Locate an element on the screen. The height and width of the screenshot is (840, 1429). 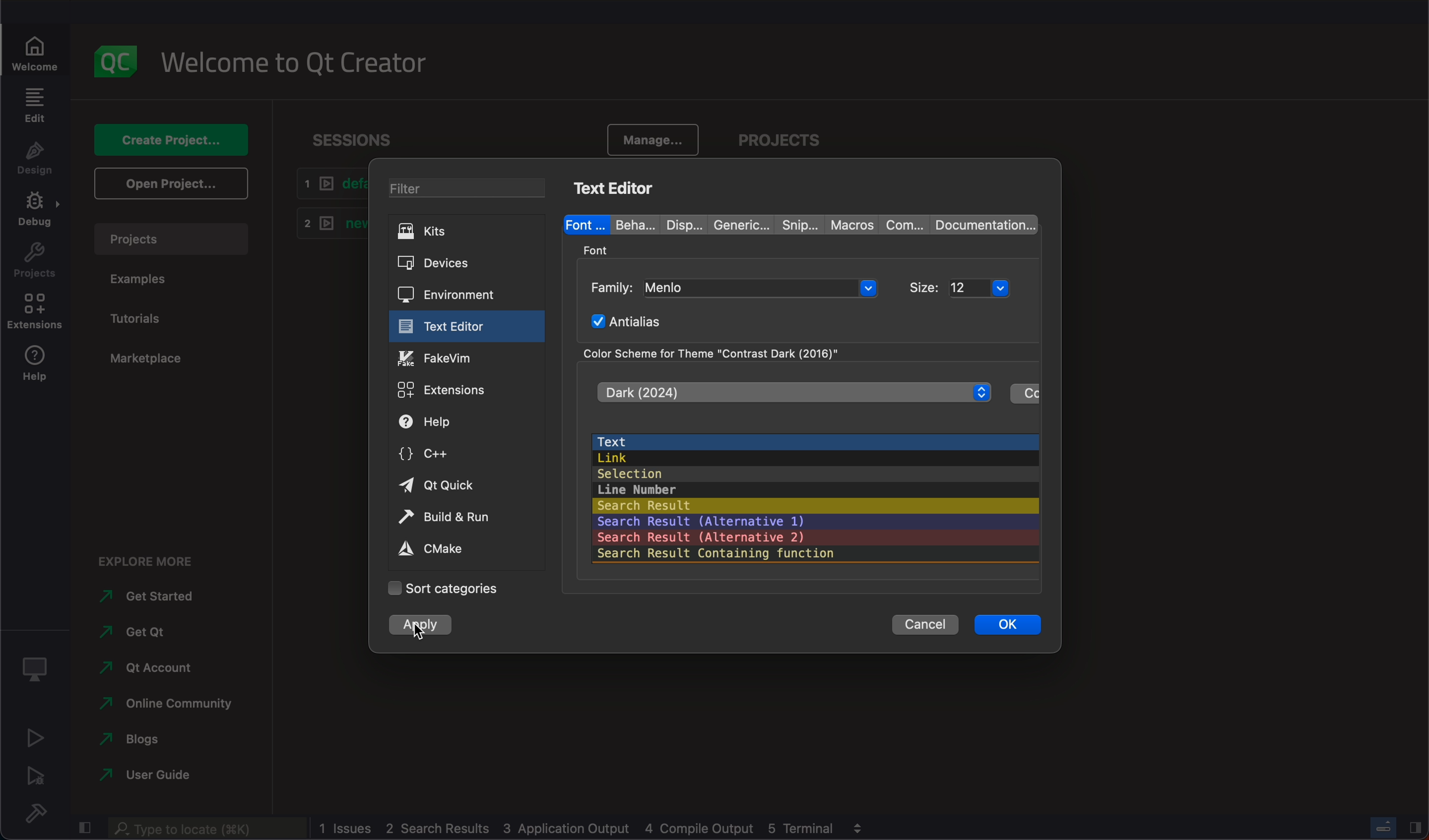
Menlo is located at coordinates (762, 289).